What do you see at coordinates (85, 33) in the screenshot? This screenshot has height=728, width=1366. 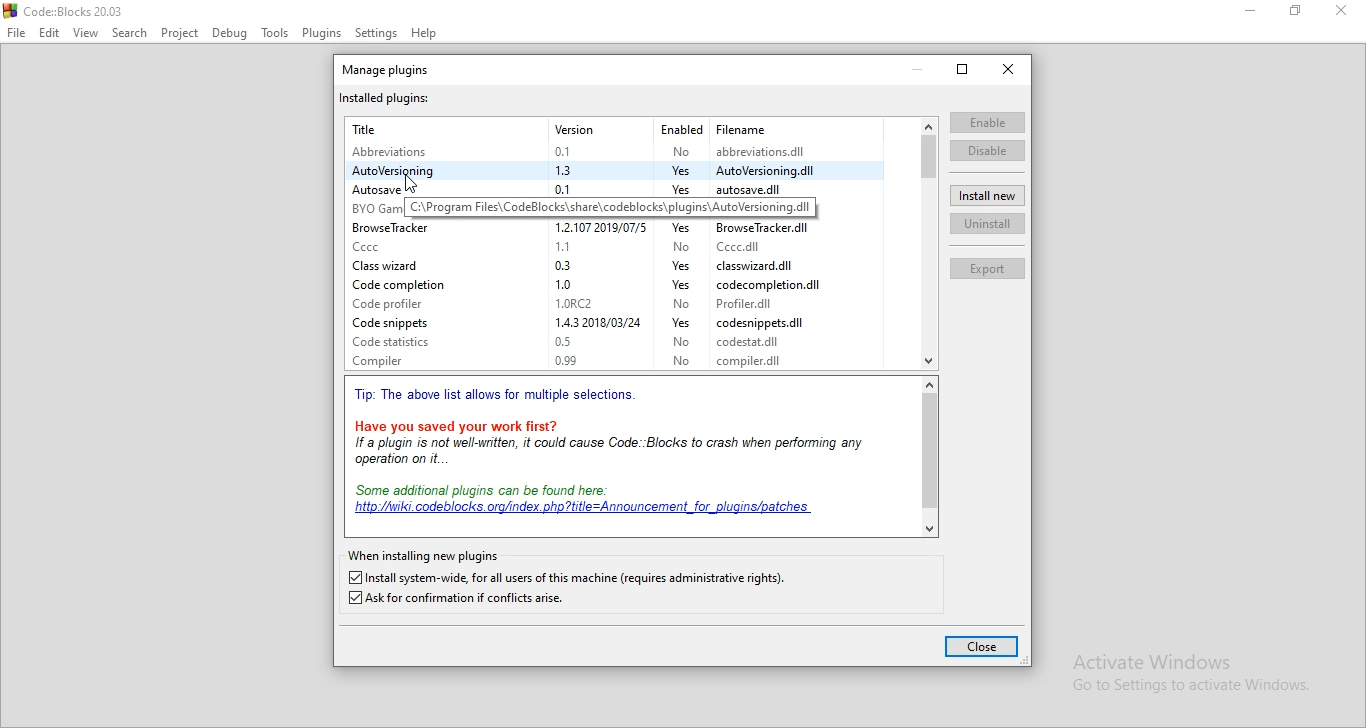 I see `View` at bounding box center [85, 33].